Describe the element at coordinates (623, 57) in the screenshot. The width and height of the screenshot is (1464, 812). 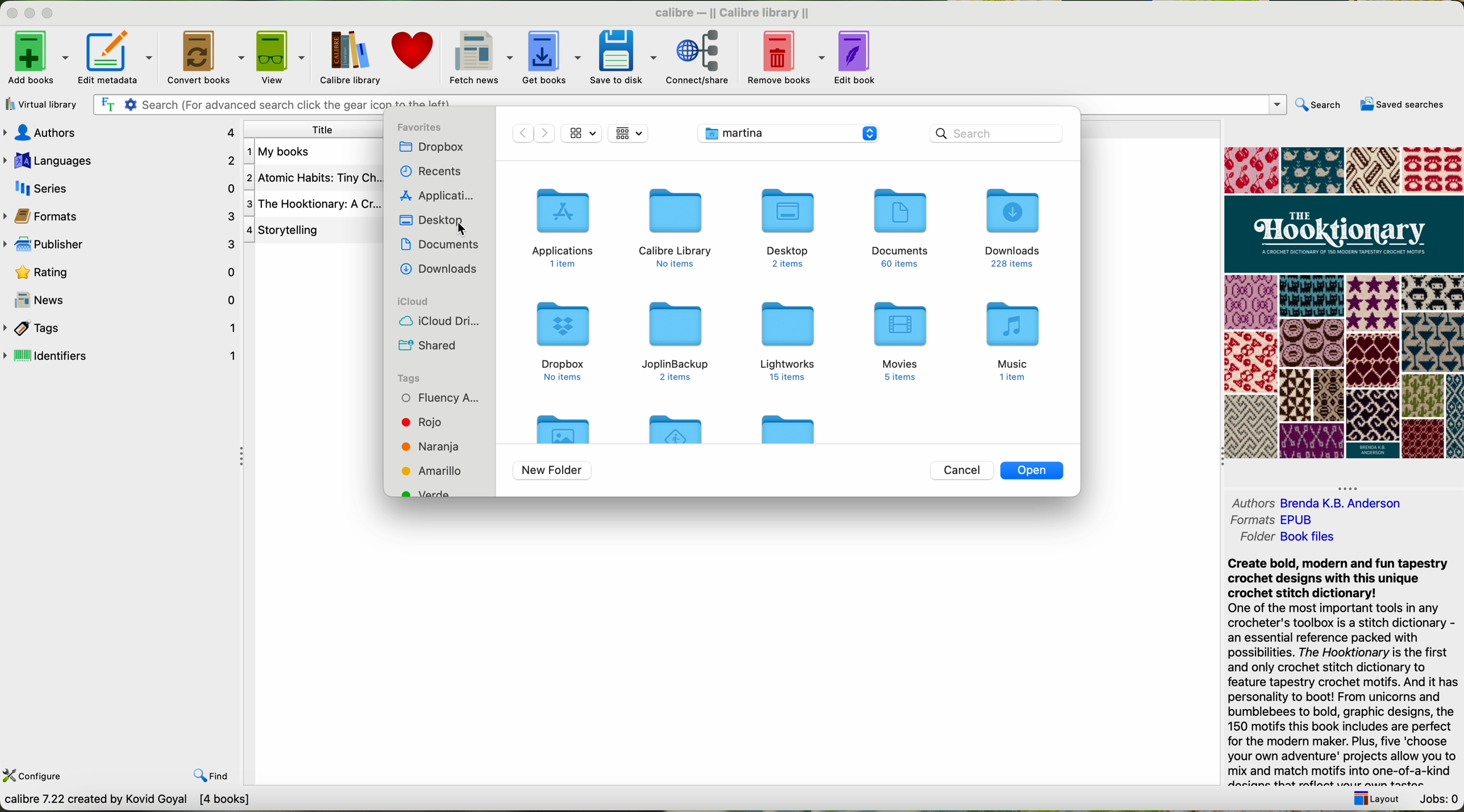
I see `save to disk` at that location.